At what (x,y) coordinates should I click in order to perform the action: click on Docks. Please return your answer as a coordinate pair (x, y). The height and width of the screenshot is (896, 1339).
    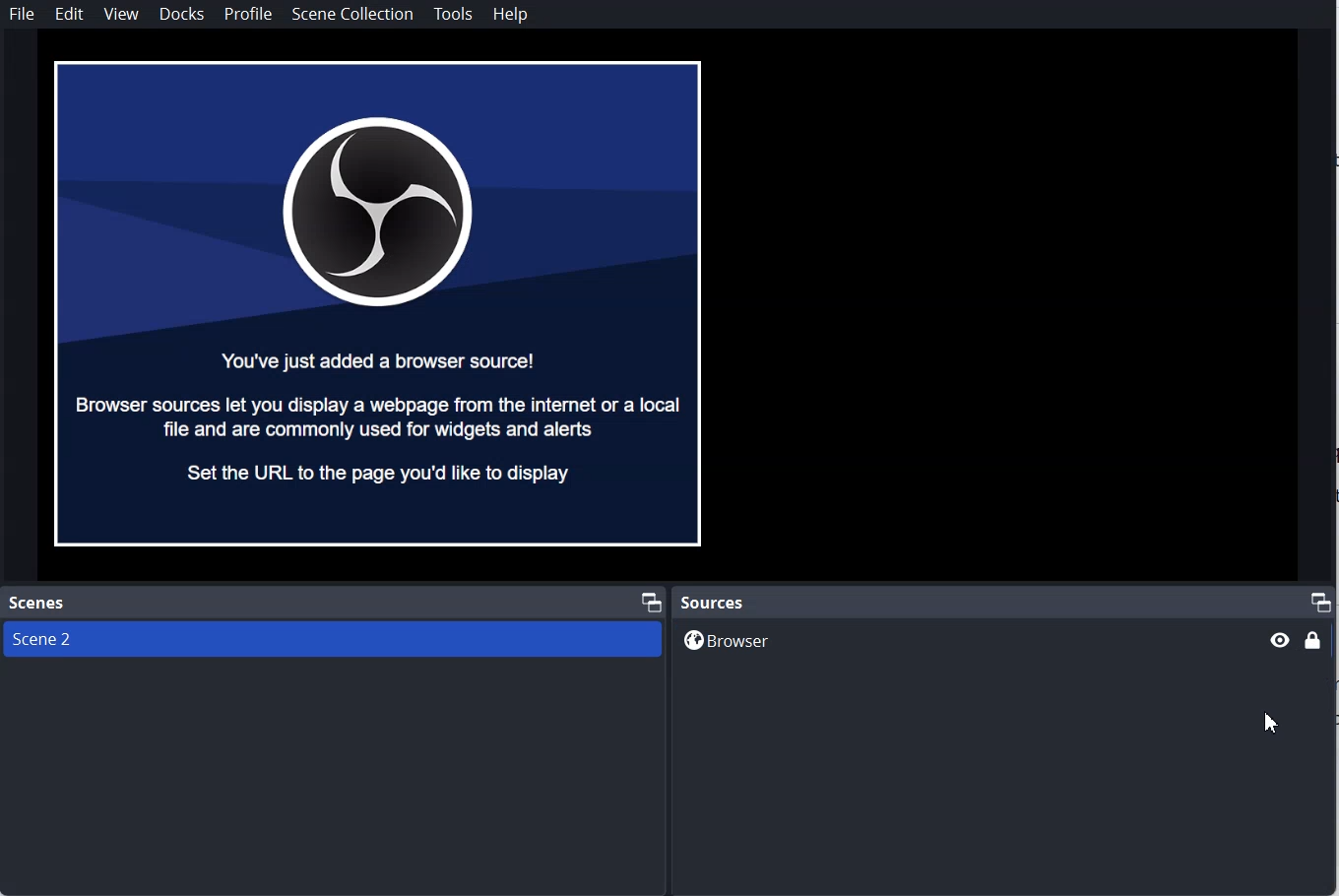
    Looking at the image, I should click on (181, 14).